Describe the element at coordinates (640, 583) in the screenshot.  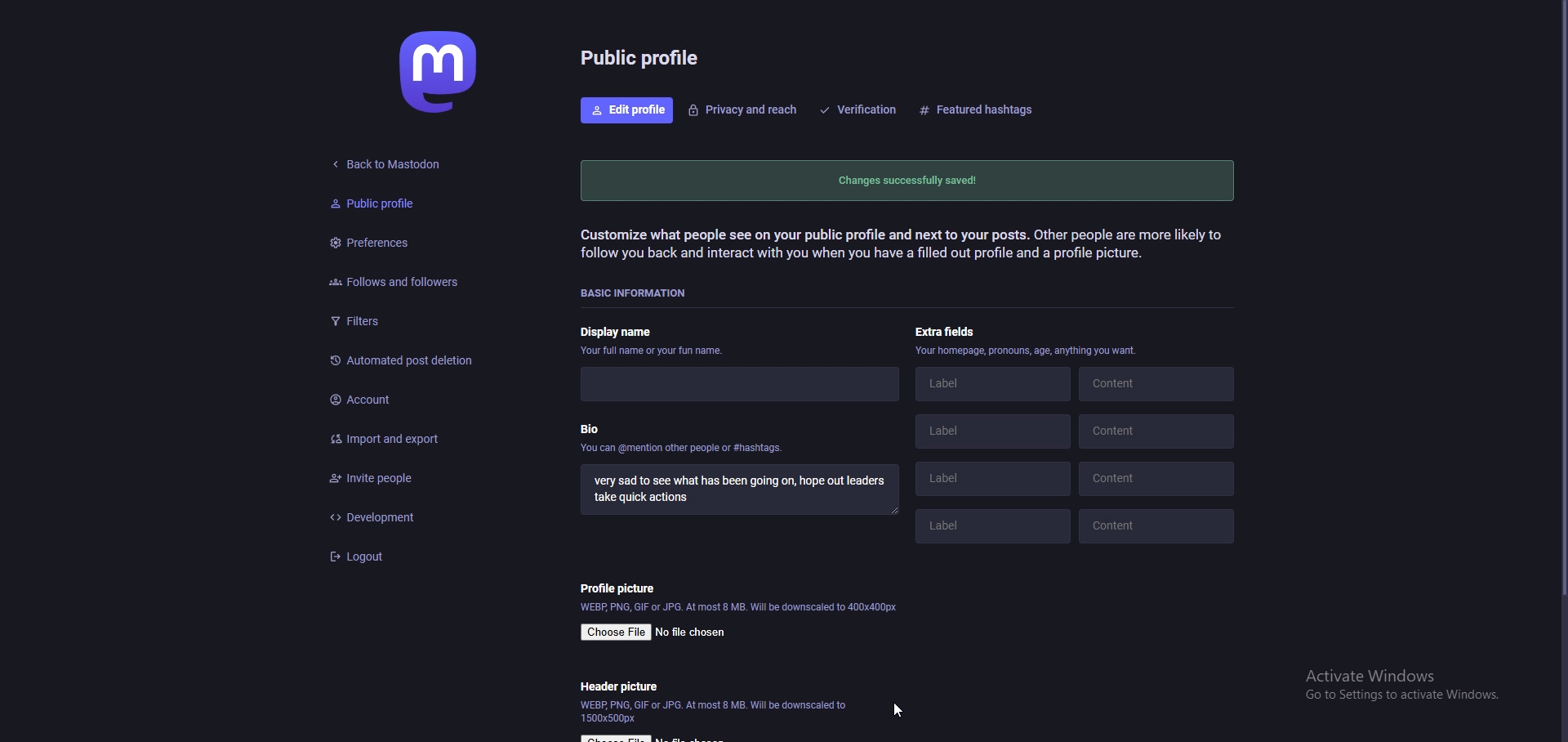
I see `Profile picture` at that location.